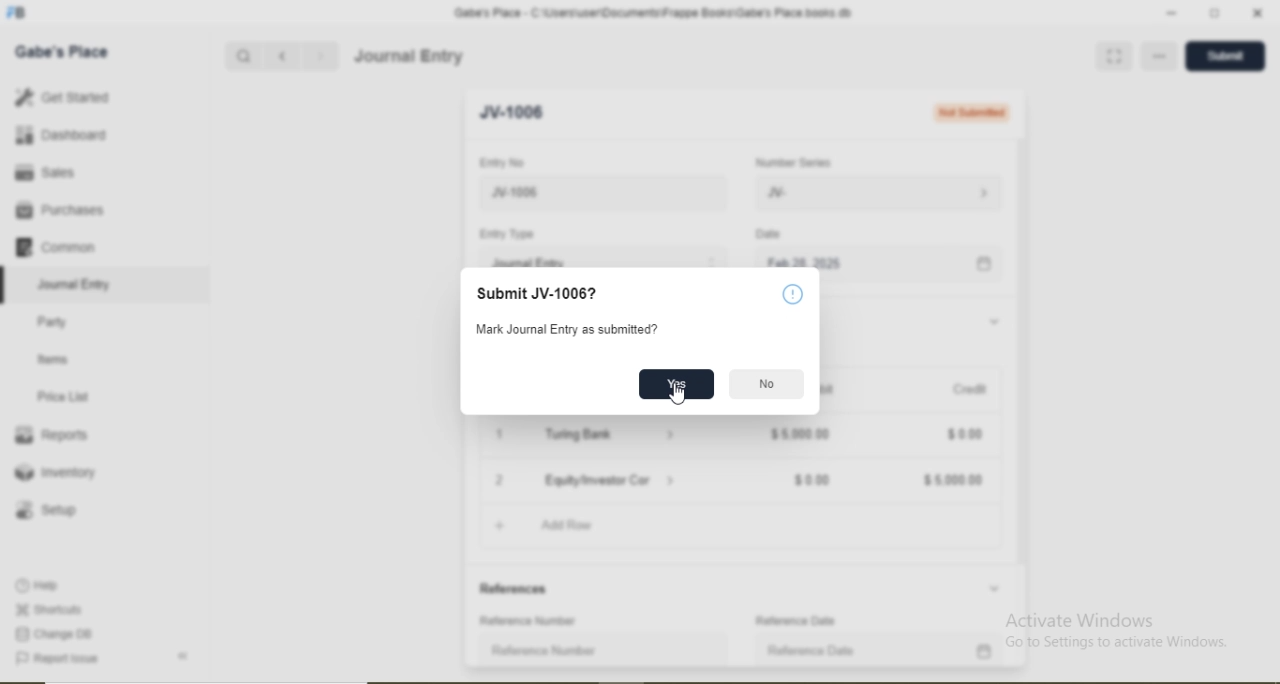  What do you see at coordinates (795, 621) in the screenshot?
I see `Reference Date` at bounding box center [795, 621].